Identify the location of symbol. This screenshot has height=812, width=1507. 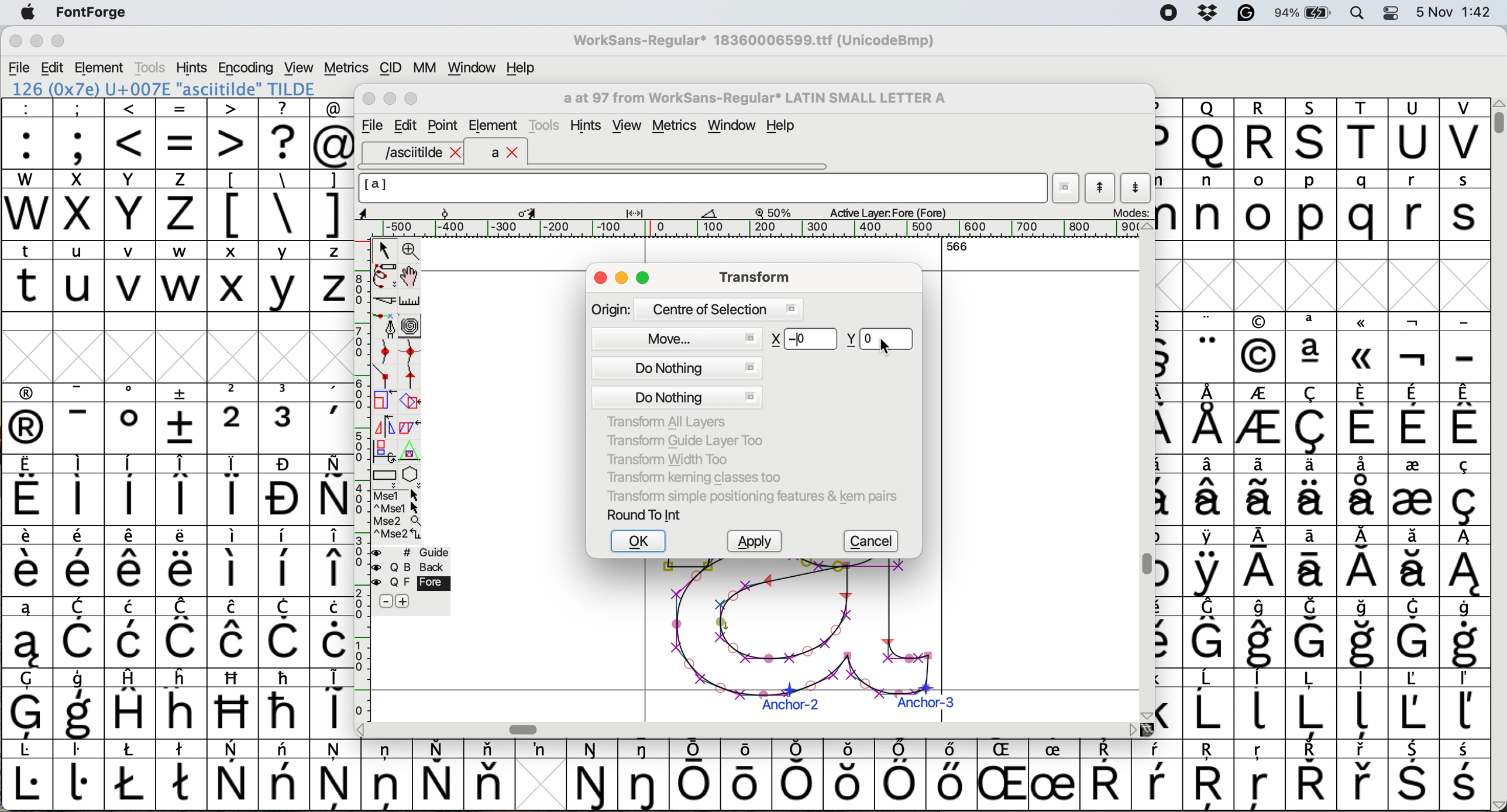
(233, 560).